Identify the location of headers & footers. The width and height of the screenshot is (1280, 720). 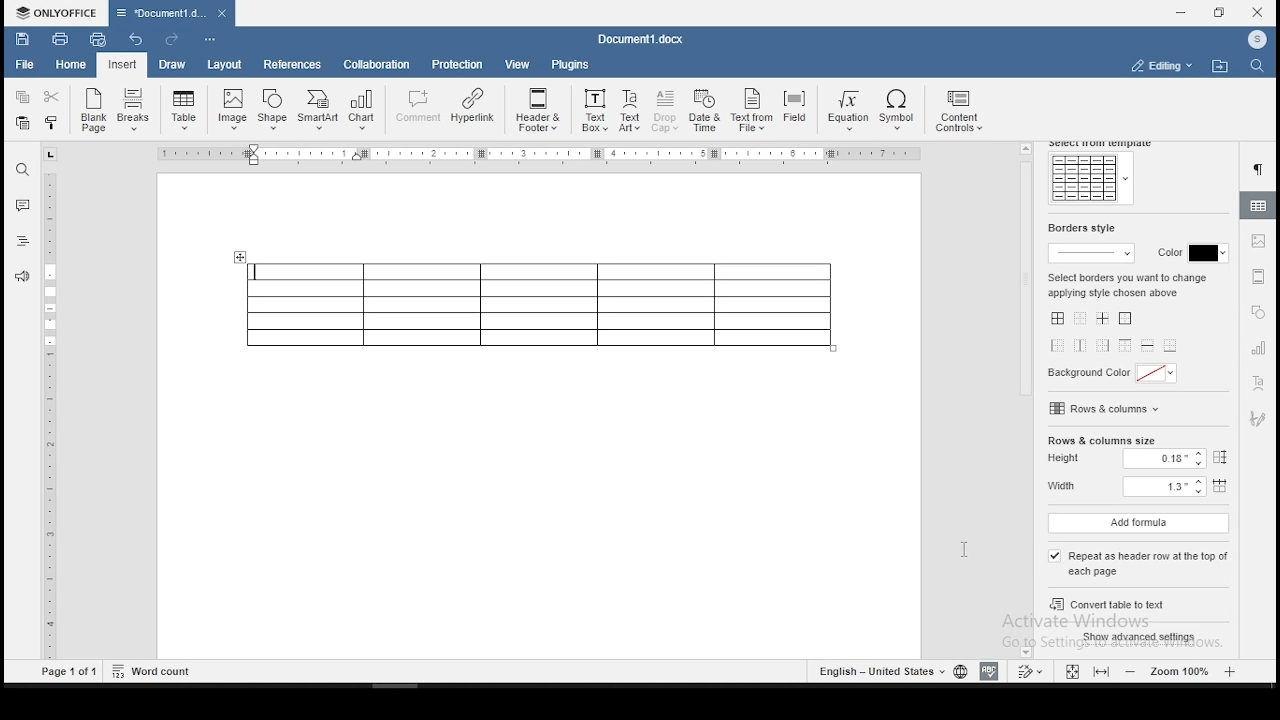
(1258, 276).